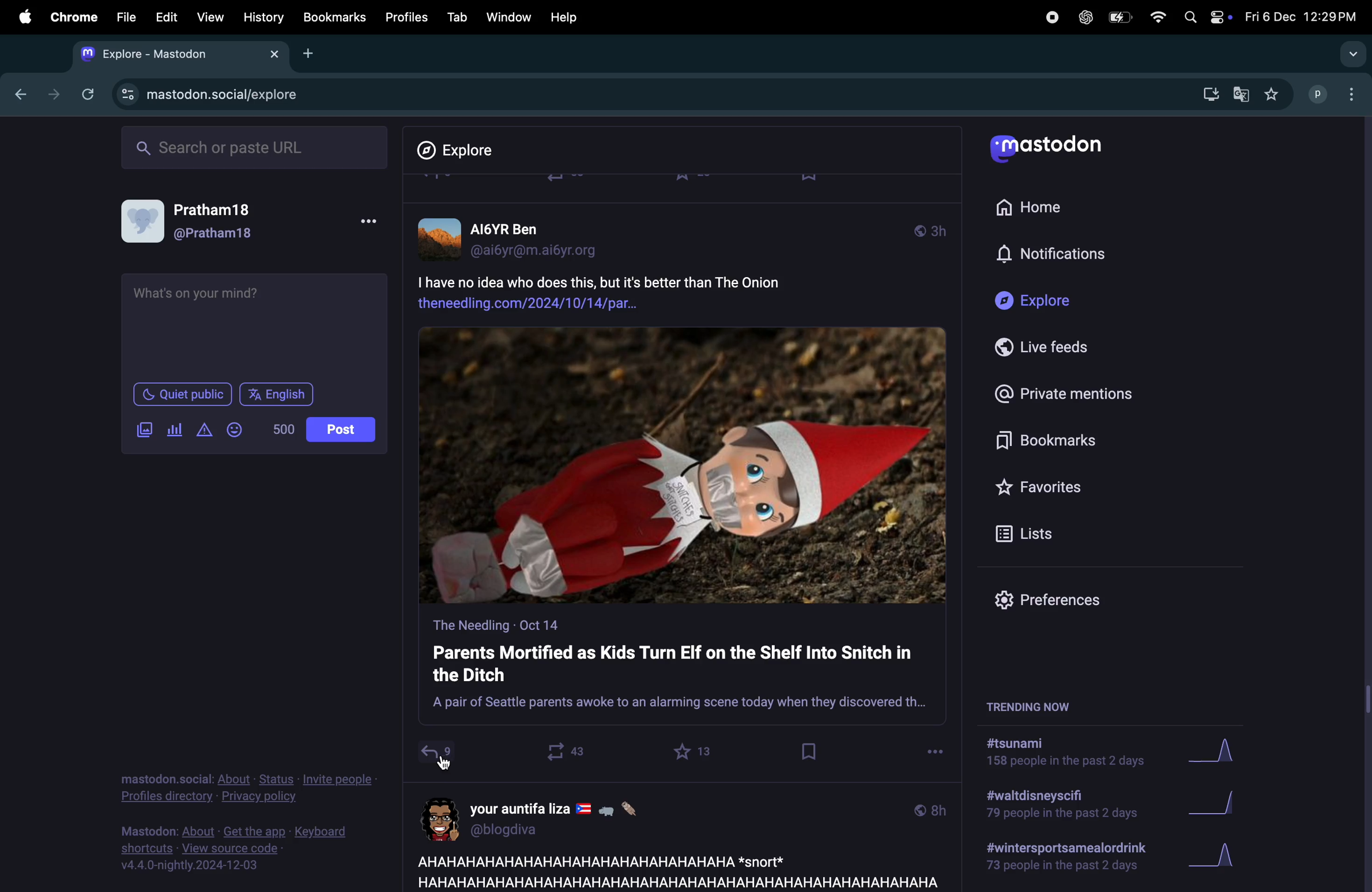 This screenshot has width=1372, height=892. What do you see at coordinates (682, 670) in the screenshot?
I see `post box` at bounding box center [682, 670].